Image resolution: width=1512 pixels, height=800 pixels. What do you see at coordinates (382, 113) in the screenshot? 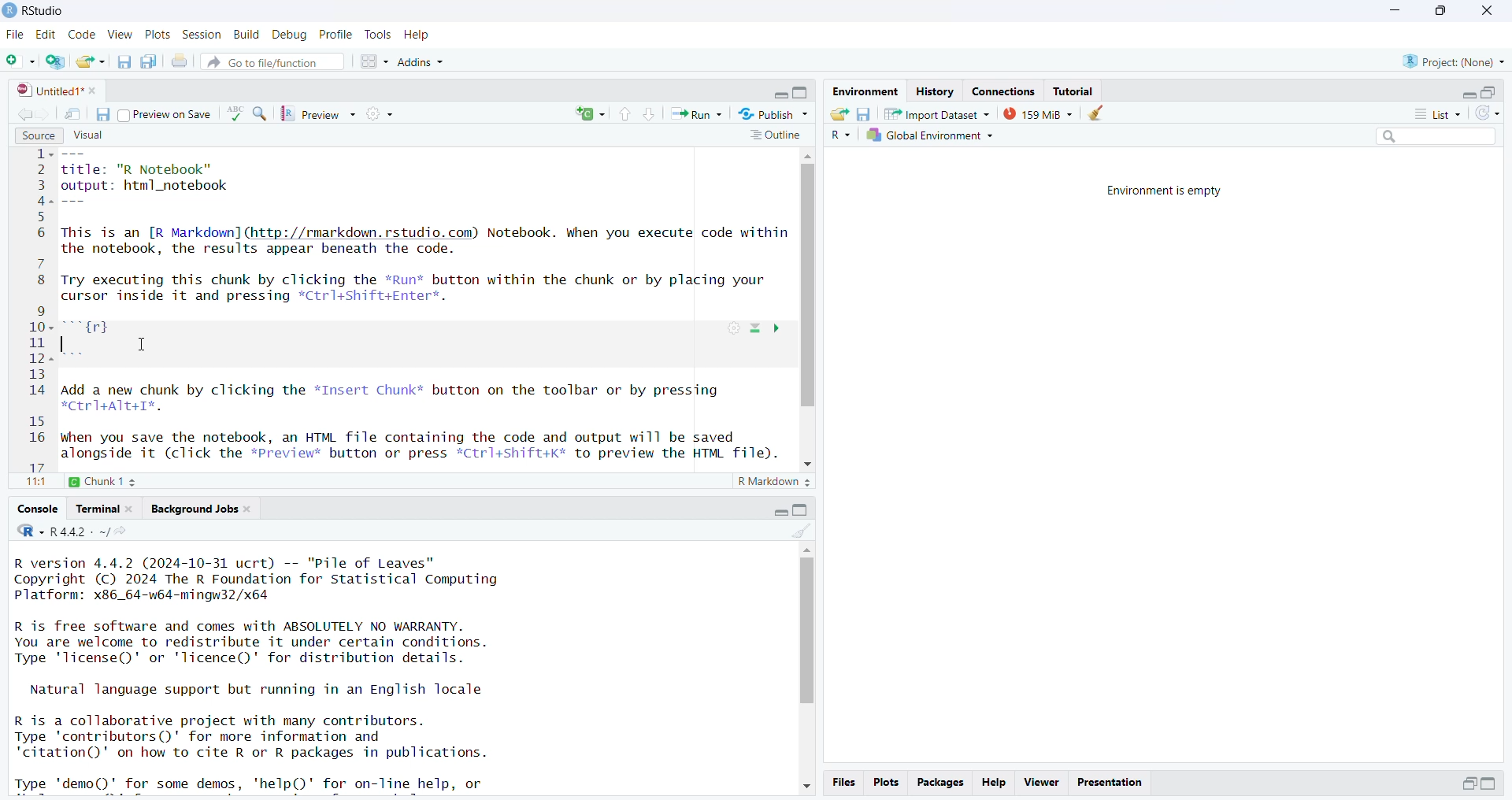
I see `compile report` at bounding box center [382, 113].